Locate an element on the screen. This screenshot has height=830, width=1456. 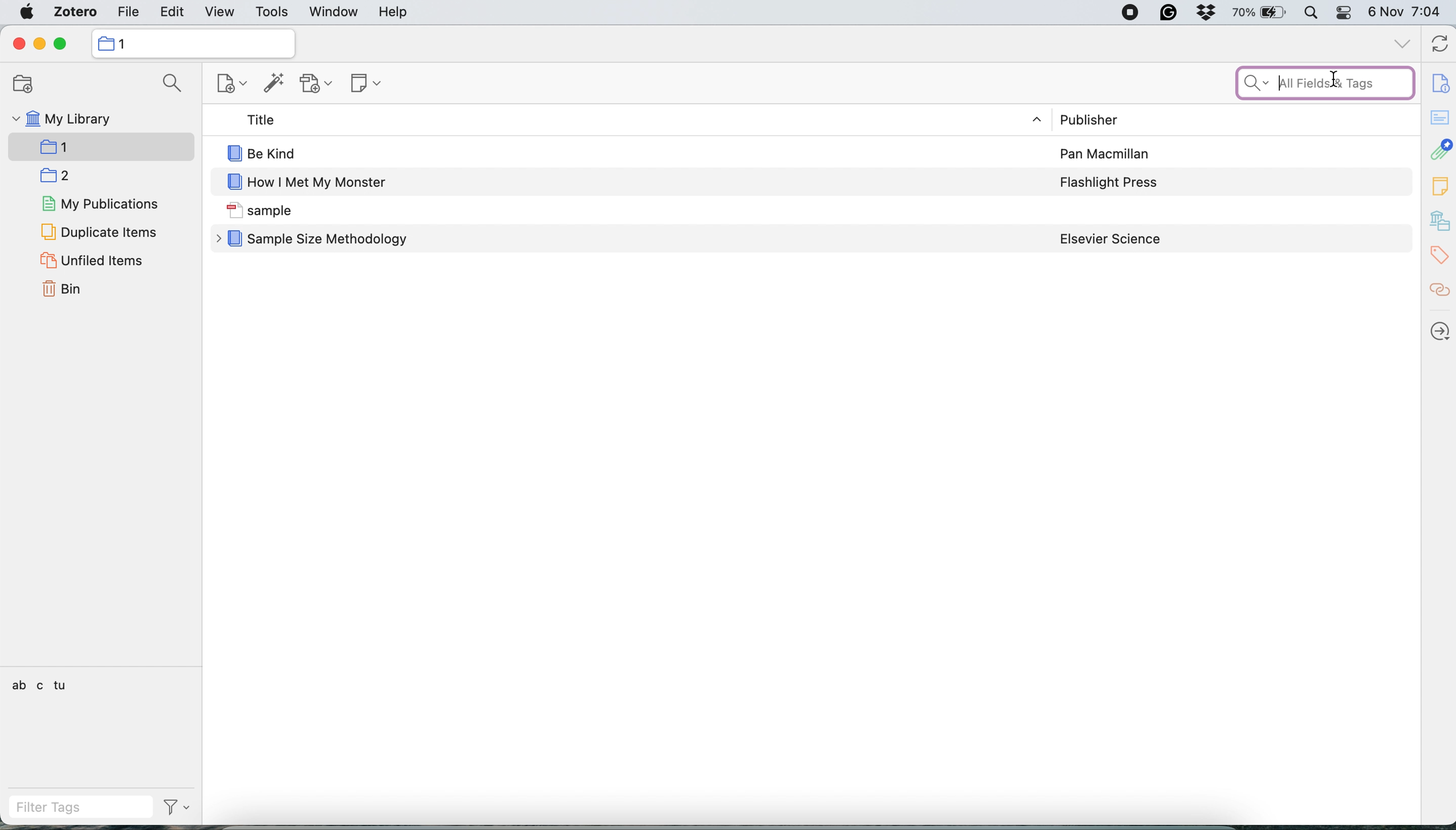
abstract is located at coordinates (1439, 117).